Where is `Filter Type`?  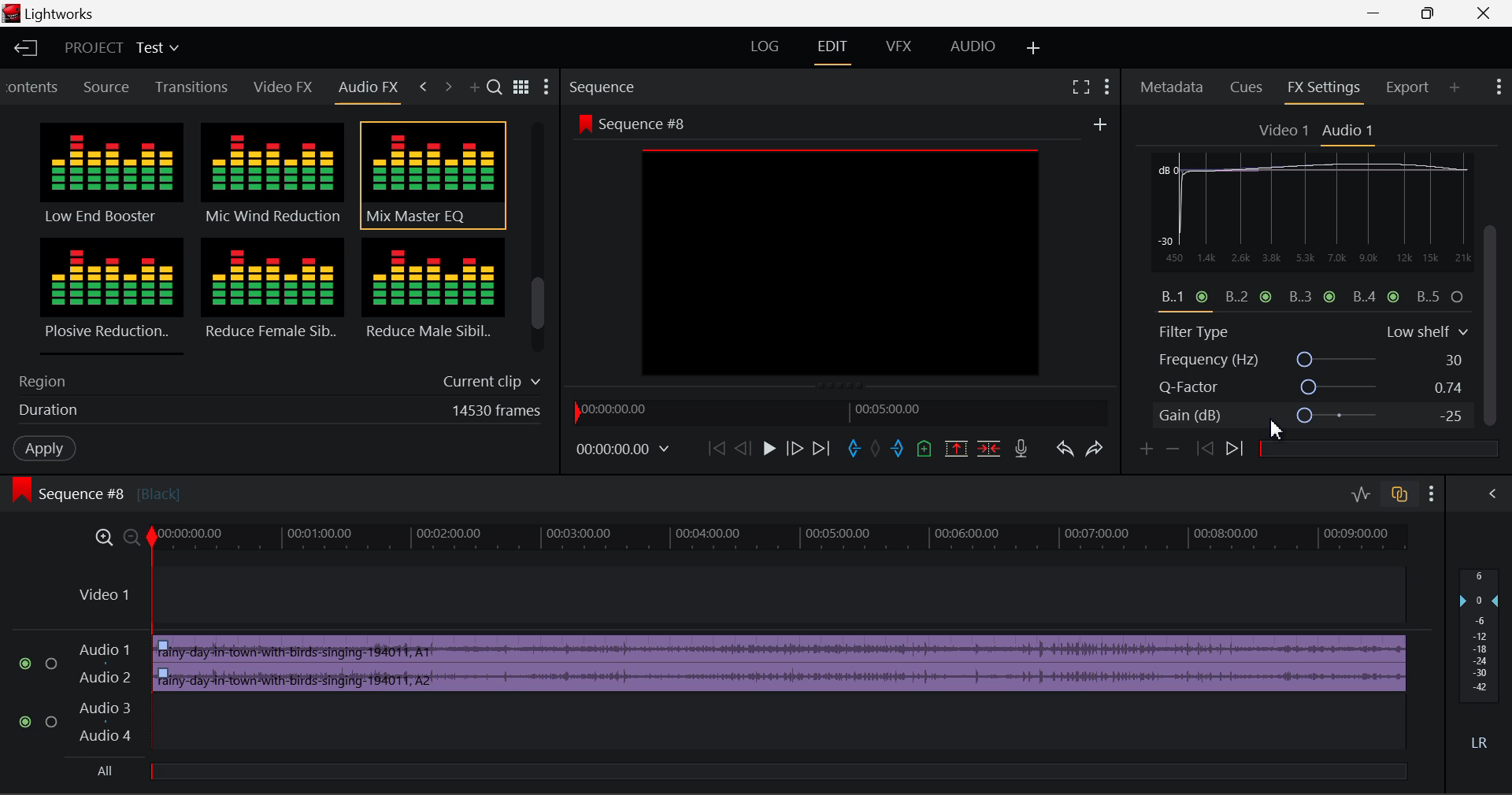 Filter Type is located at coordinates (1313, 330).